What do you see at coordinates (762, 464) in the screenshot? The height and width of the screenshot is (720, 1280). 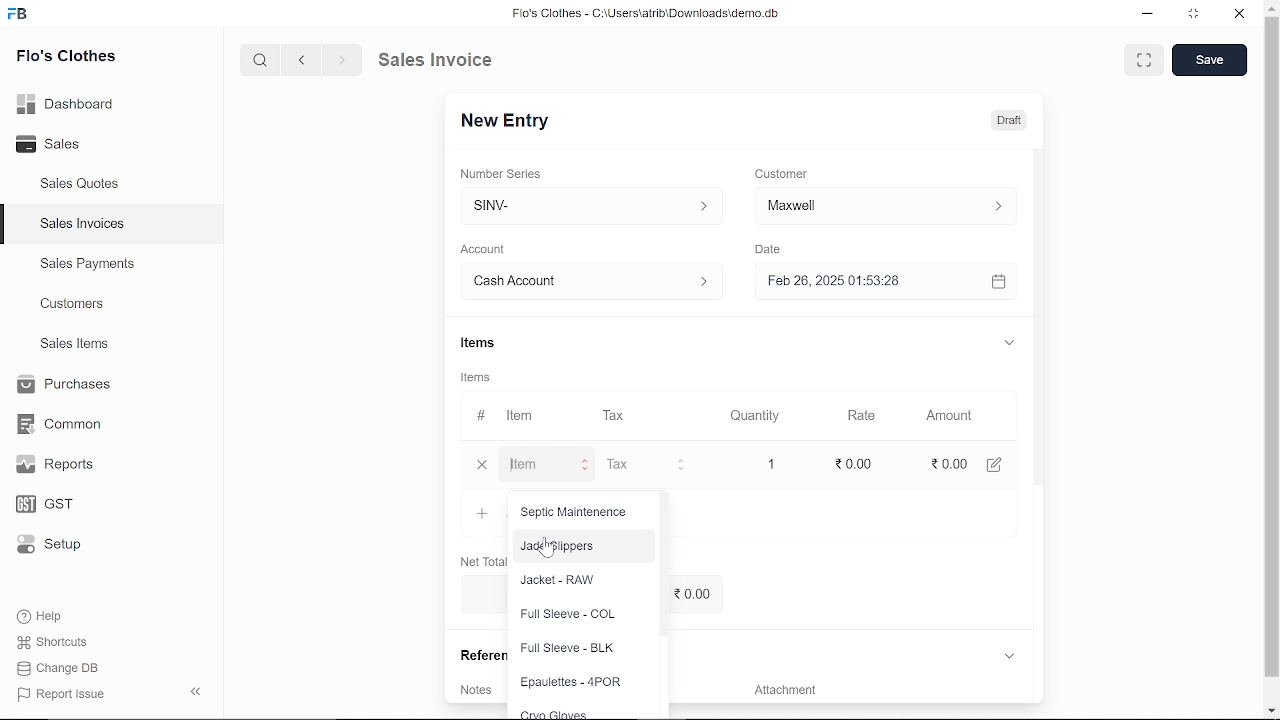 I see `1` at bounding box center [762, 464].